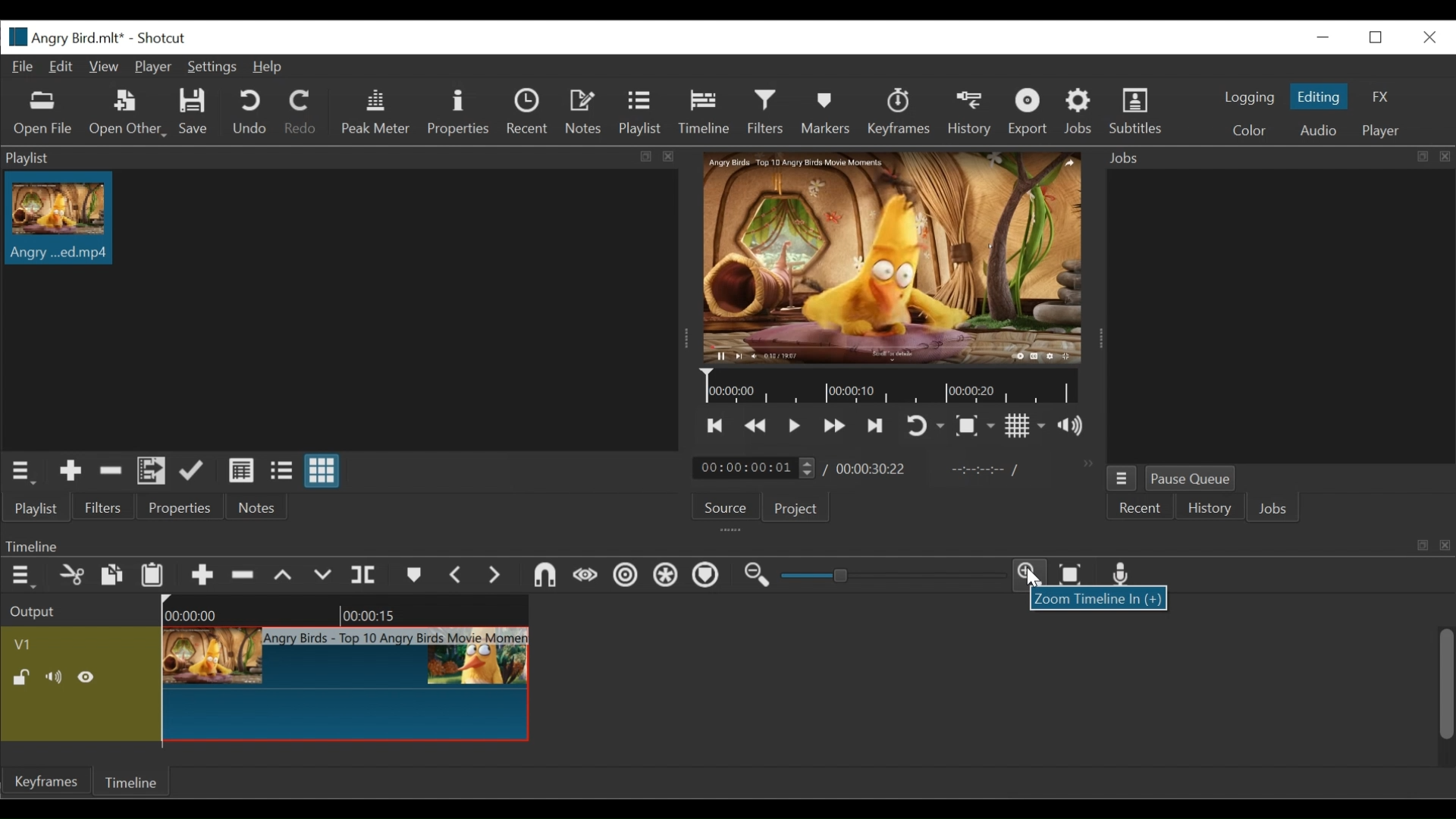 The width and height of the screenshot is (1456, 819). Describe the element at coordinates (64, 37) in the screenshot. I see `File name` at that location.